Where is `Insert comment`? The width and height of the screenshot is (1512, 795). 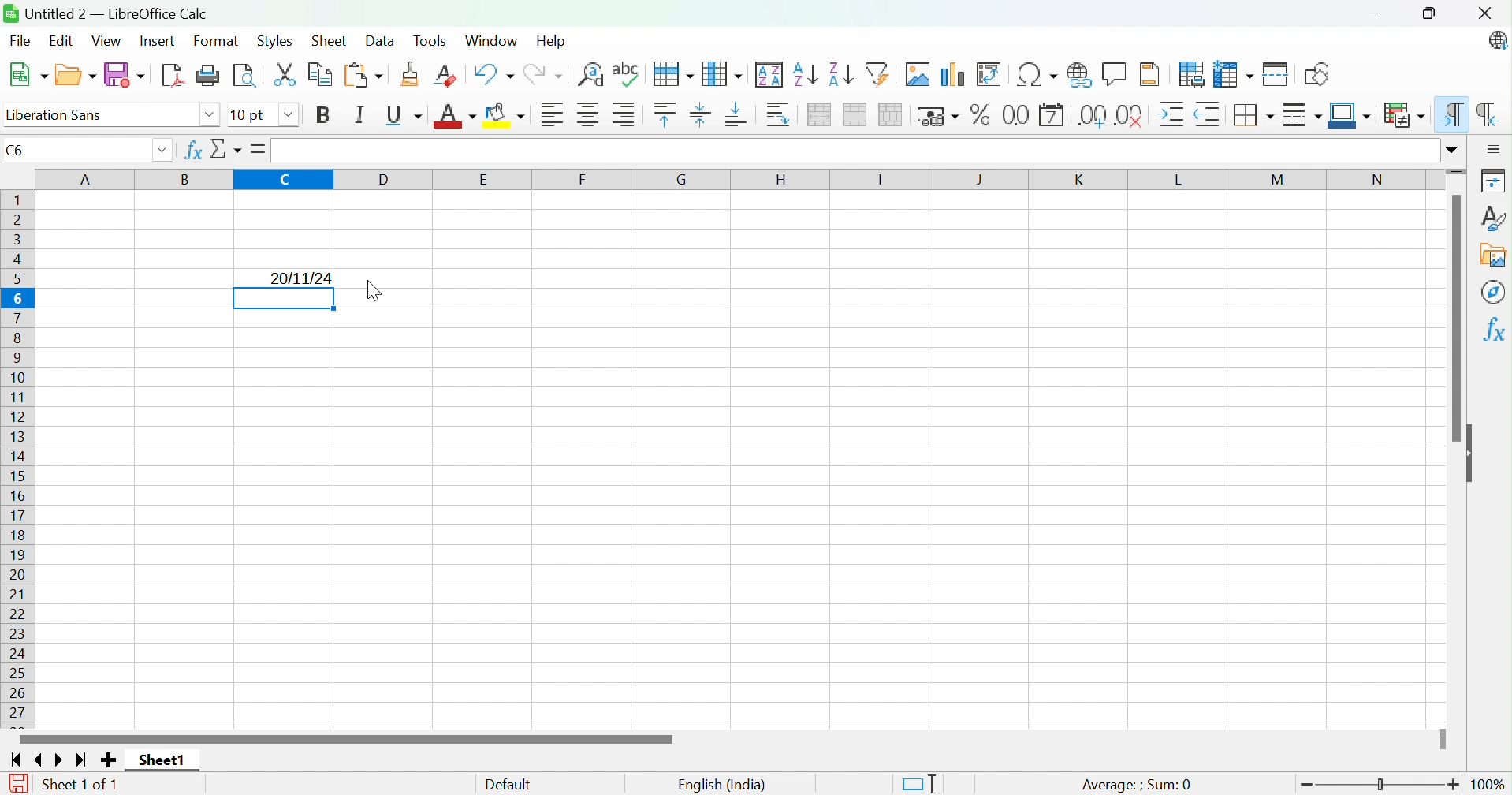 Insert comment is located at coordinates (1116, 73).